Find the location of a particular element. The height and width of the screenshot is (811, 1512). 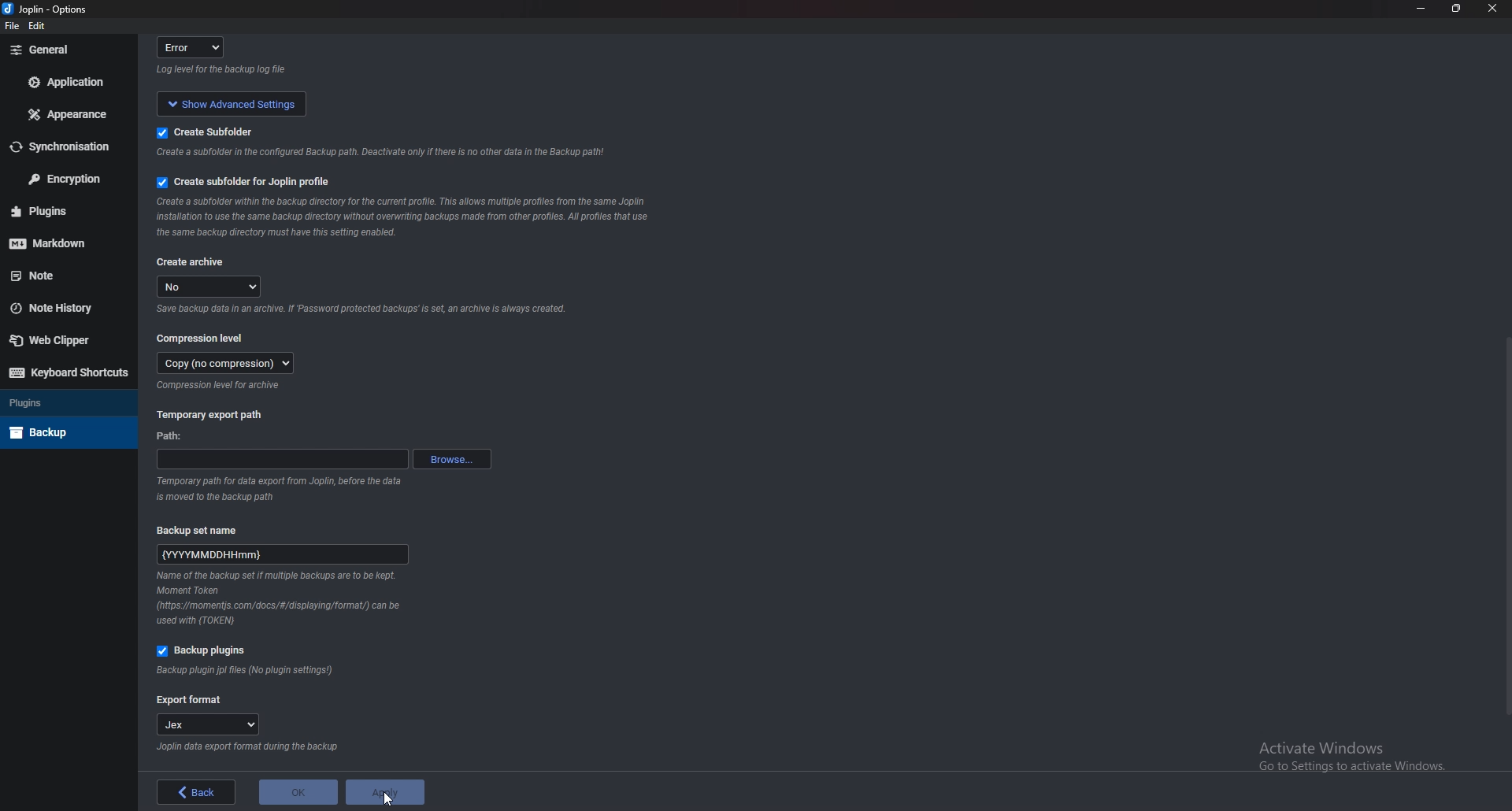

Resize is located at coordinates (1458, 9).